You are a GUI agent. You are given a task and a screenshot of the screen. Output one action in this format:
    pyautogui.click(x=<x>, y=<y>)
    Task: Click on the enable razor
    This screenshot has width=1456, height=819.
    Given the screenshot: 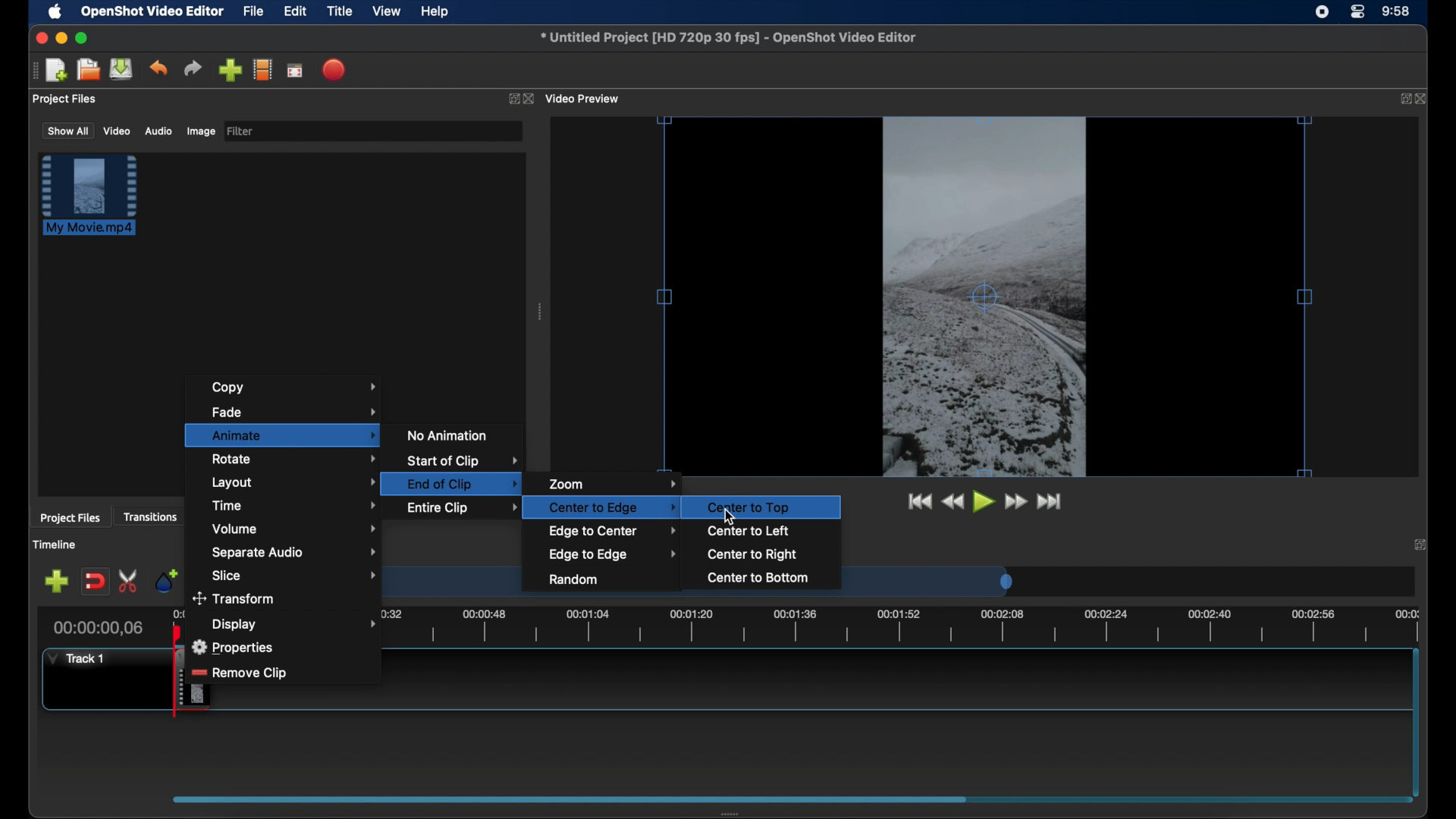 What is the action you would take?
    pyautogui.click(x=129, y=582)
    